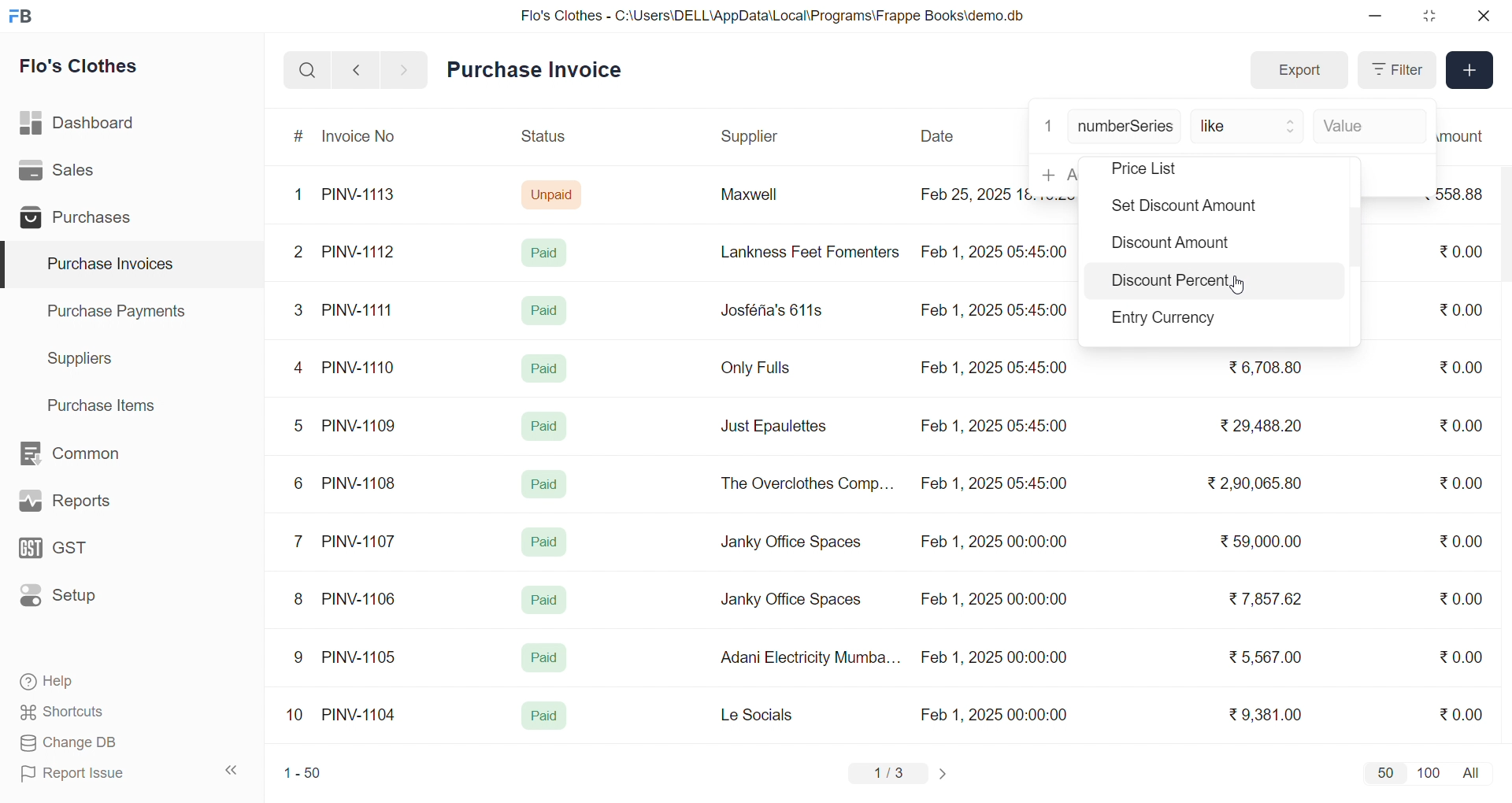 The height and width of the screenshot is (803, 1512). Describe the element at coordinates (1048, 124) in the screenshot. I see `1` at that location.